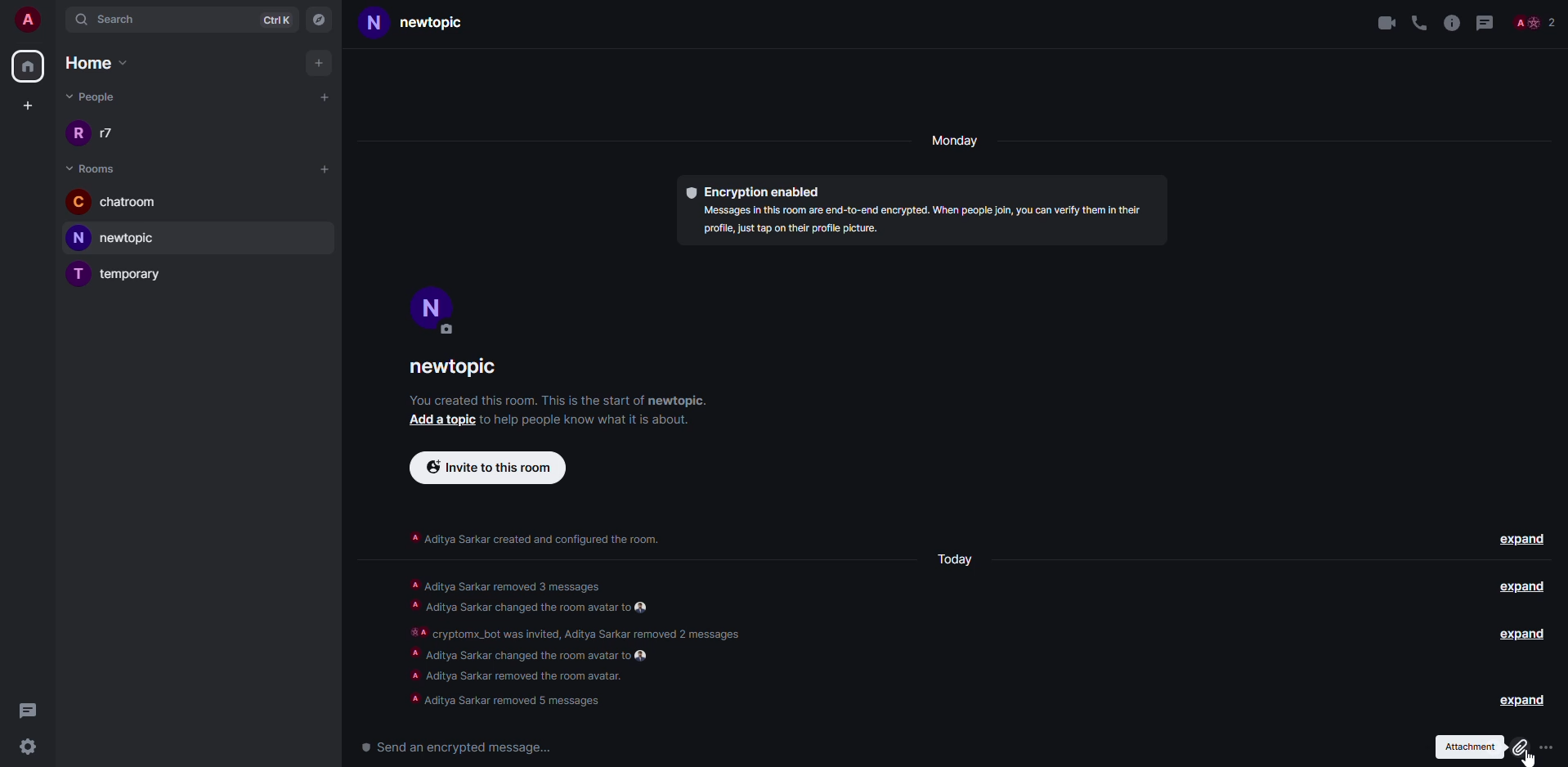 The height and width of the screenshot is (767, 1568). What do you see at coordinates (1534, 22) in the screenshot?
I see `people` at bounding box center [1534, 22].